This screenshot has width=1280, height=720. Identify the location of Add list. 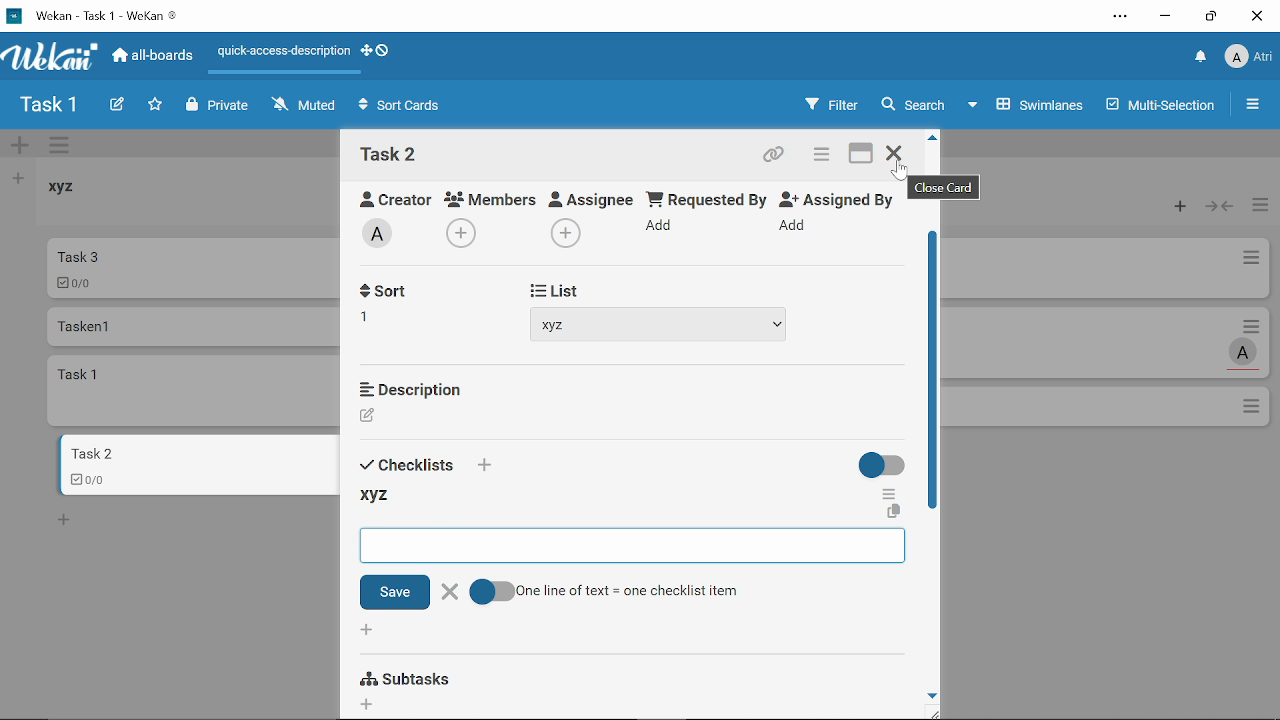
(16, 178).